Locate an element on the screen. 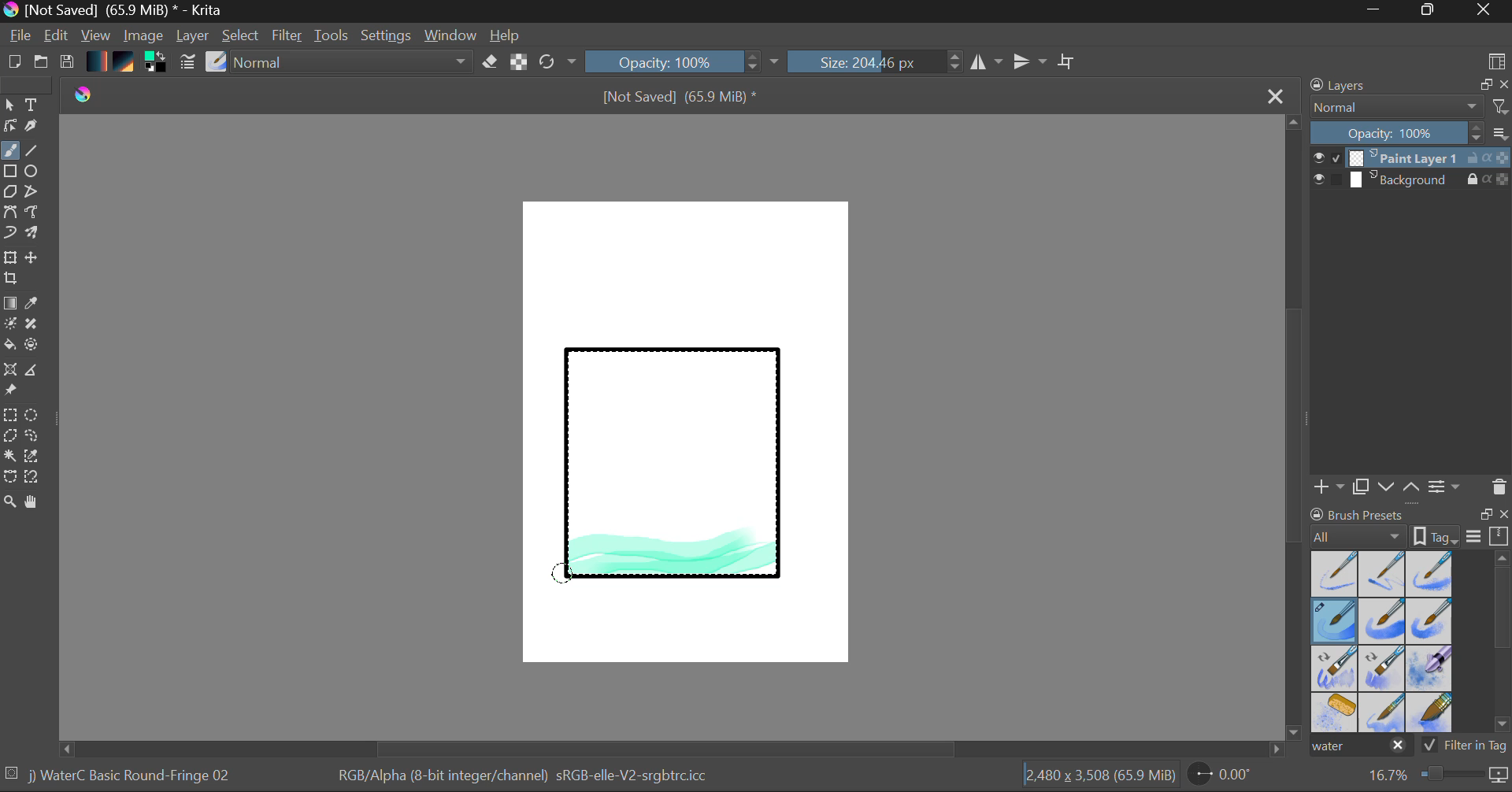 The width and height of the screenshot is (1512, 792). Layer 1 is located at coordinates (1412, 160).